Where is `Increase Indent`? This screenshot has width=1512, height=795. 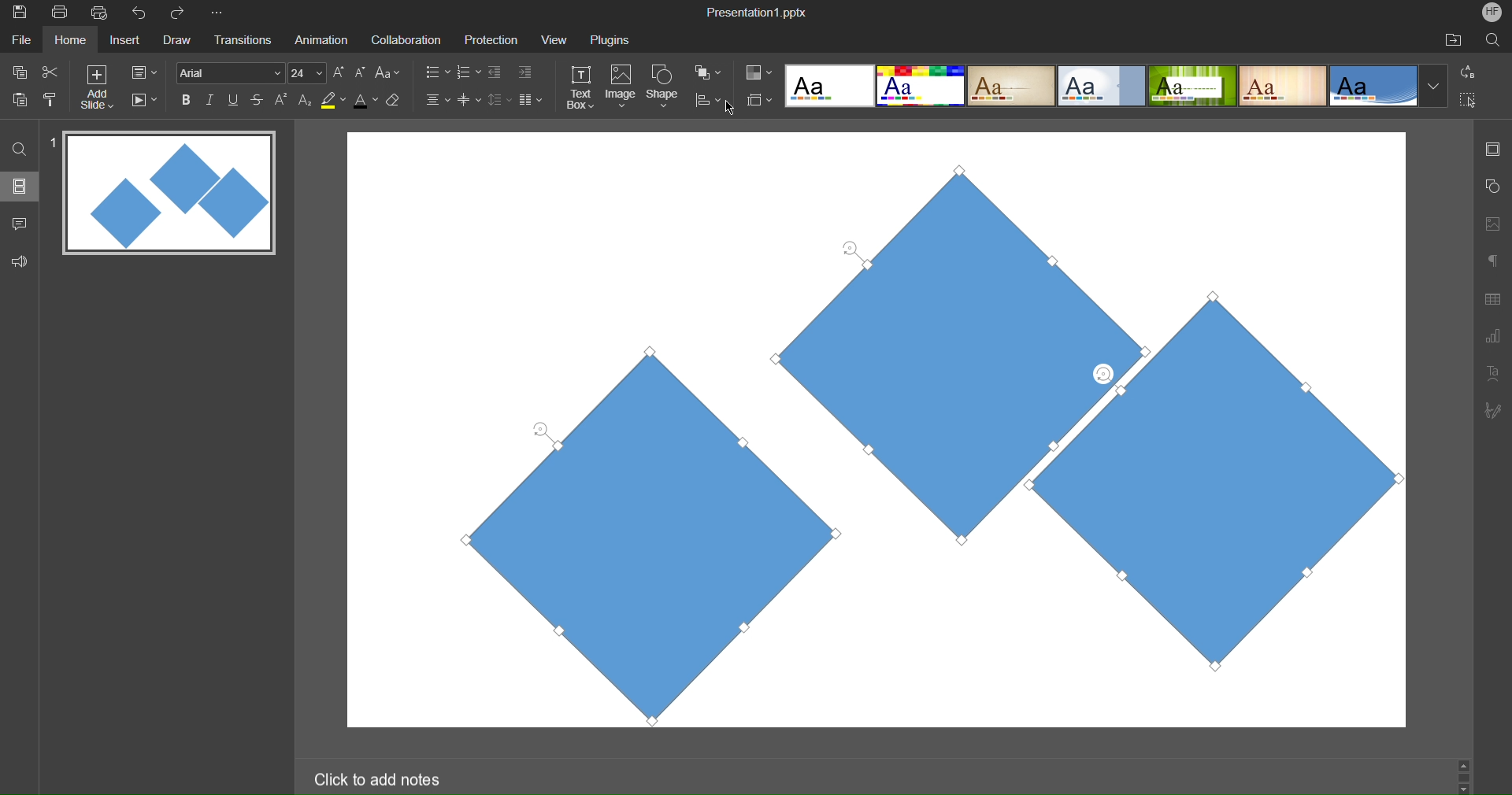
Increase Indent is located at coordinates (525, 70).